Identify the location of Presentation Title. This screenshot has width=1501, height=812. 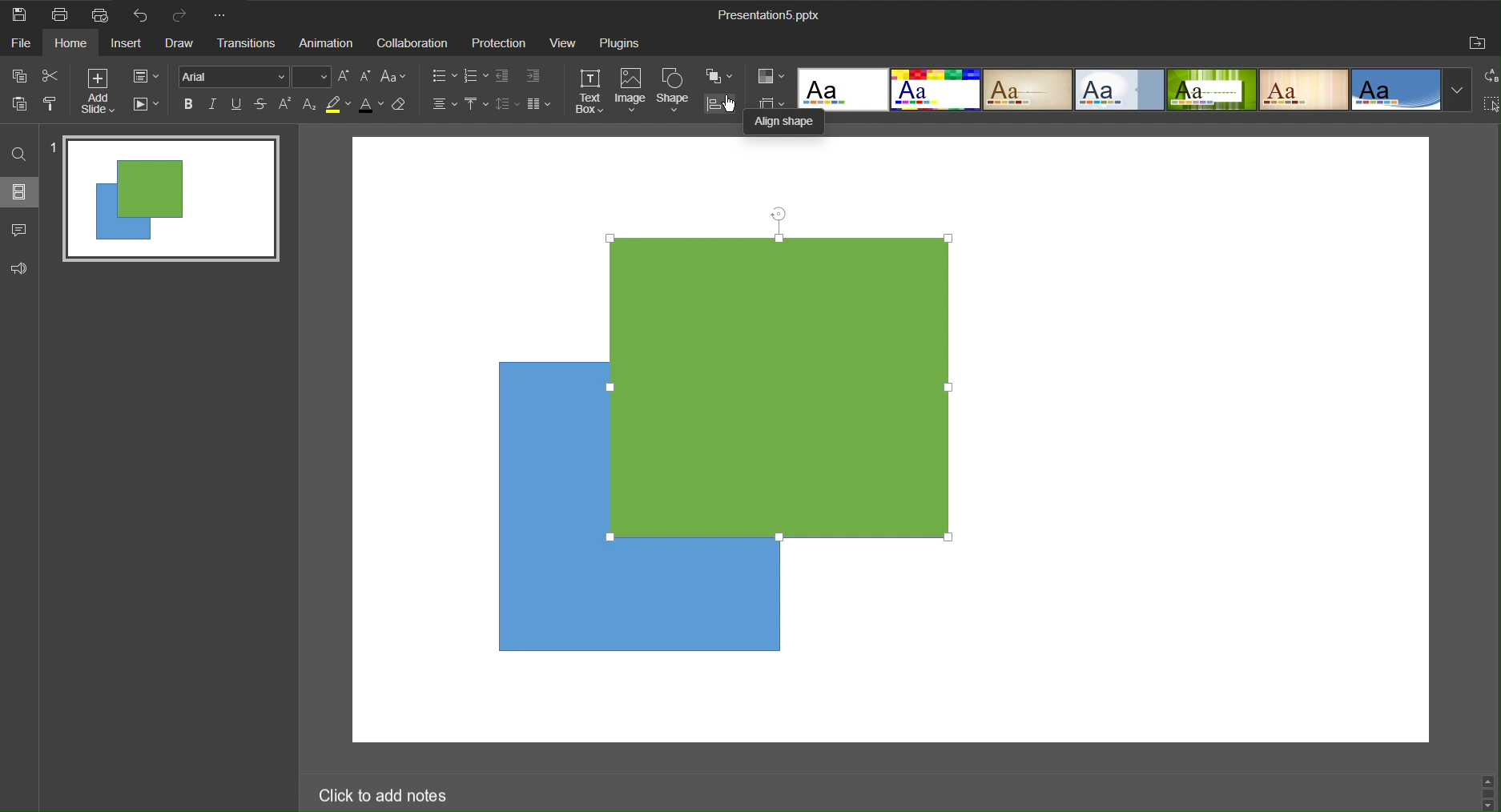
(768, 16).